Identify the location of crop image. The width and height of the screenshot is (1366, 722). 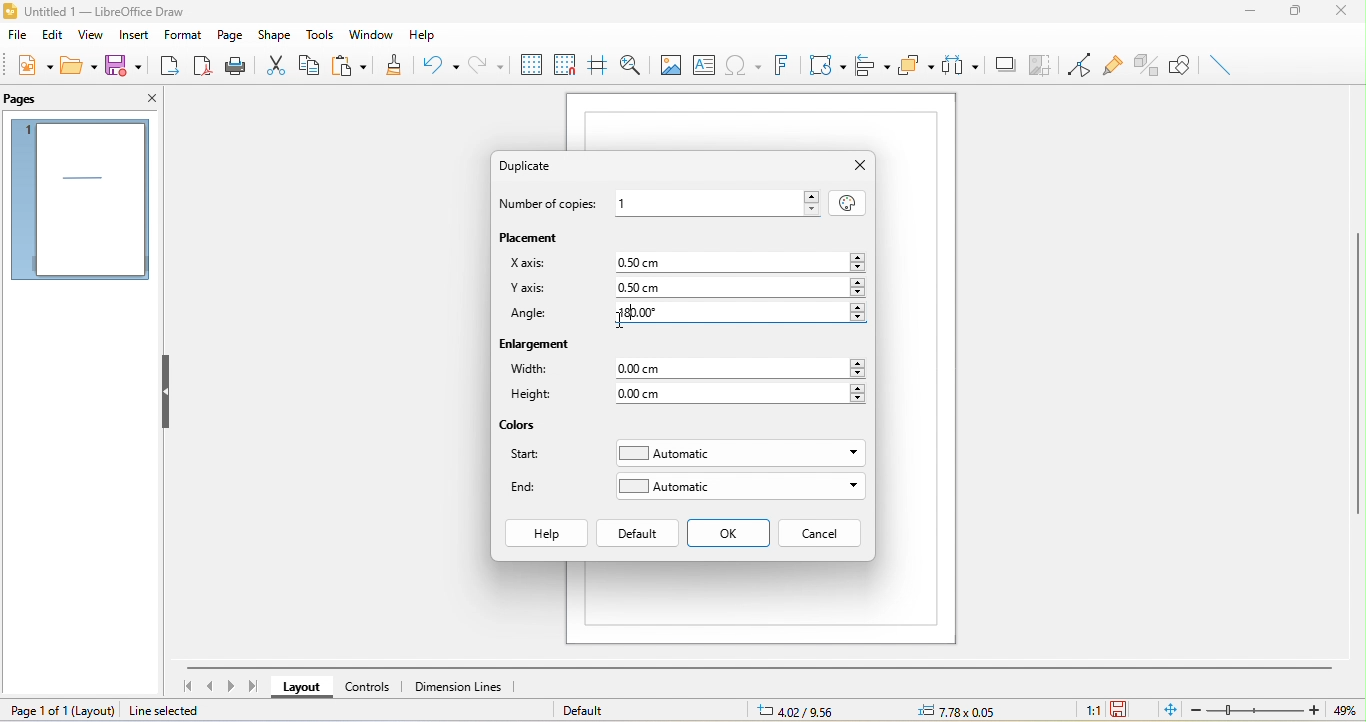
(1042, 64).